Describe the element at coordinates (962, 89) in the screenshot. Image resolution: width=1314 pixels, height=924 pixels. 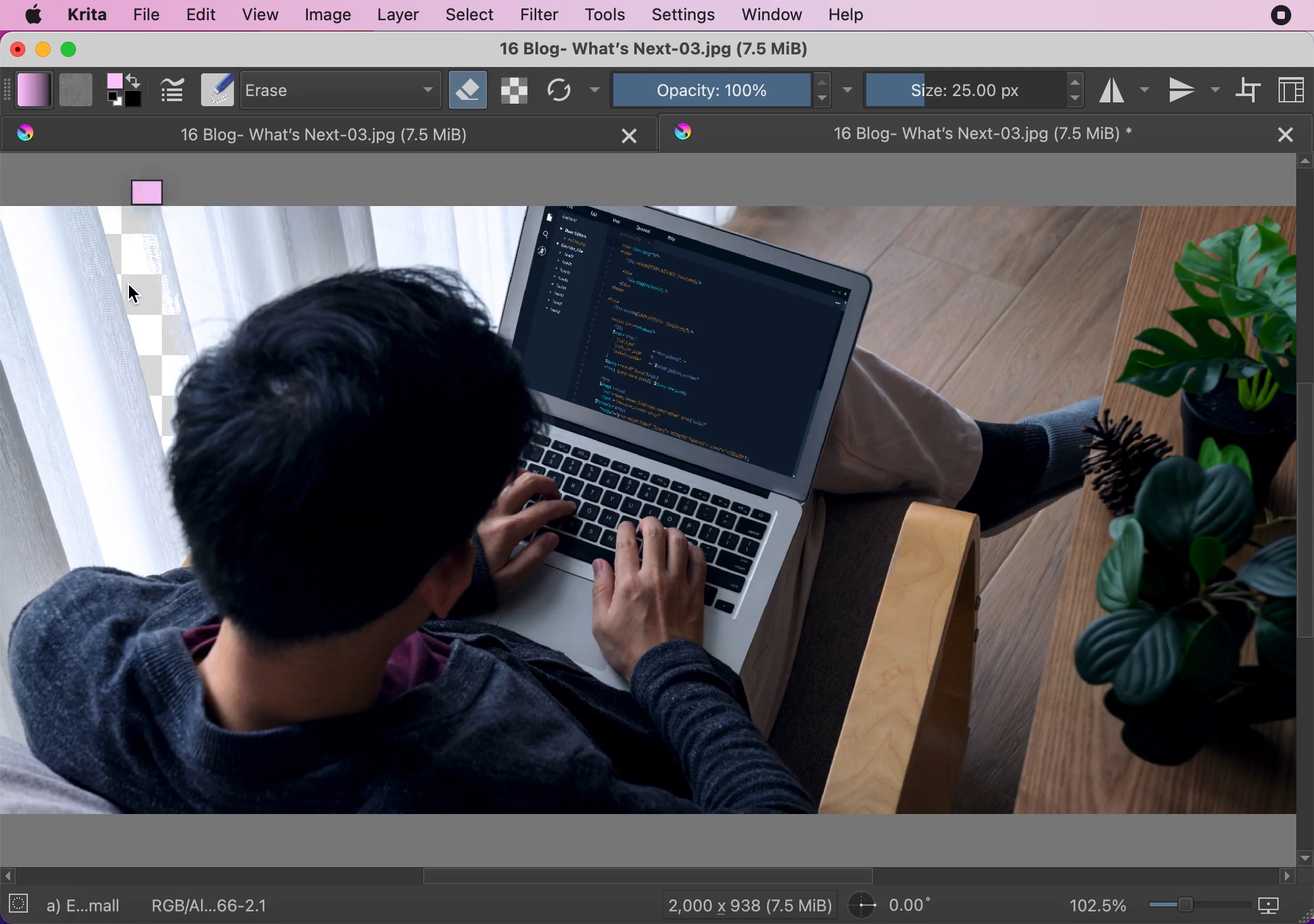
I see `size: 25.00 px` at that location.